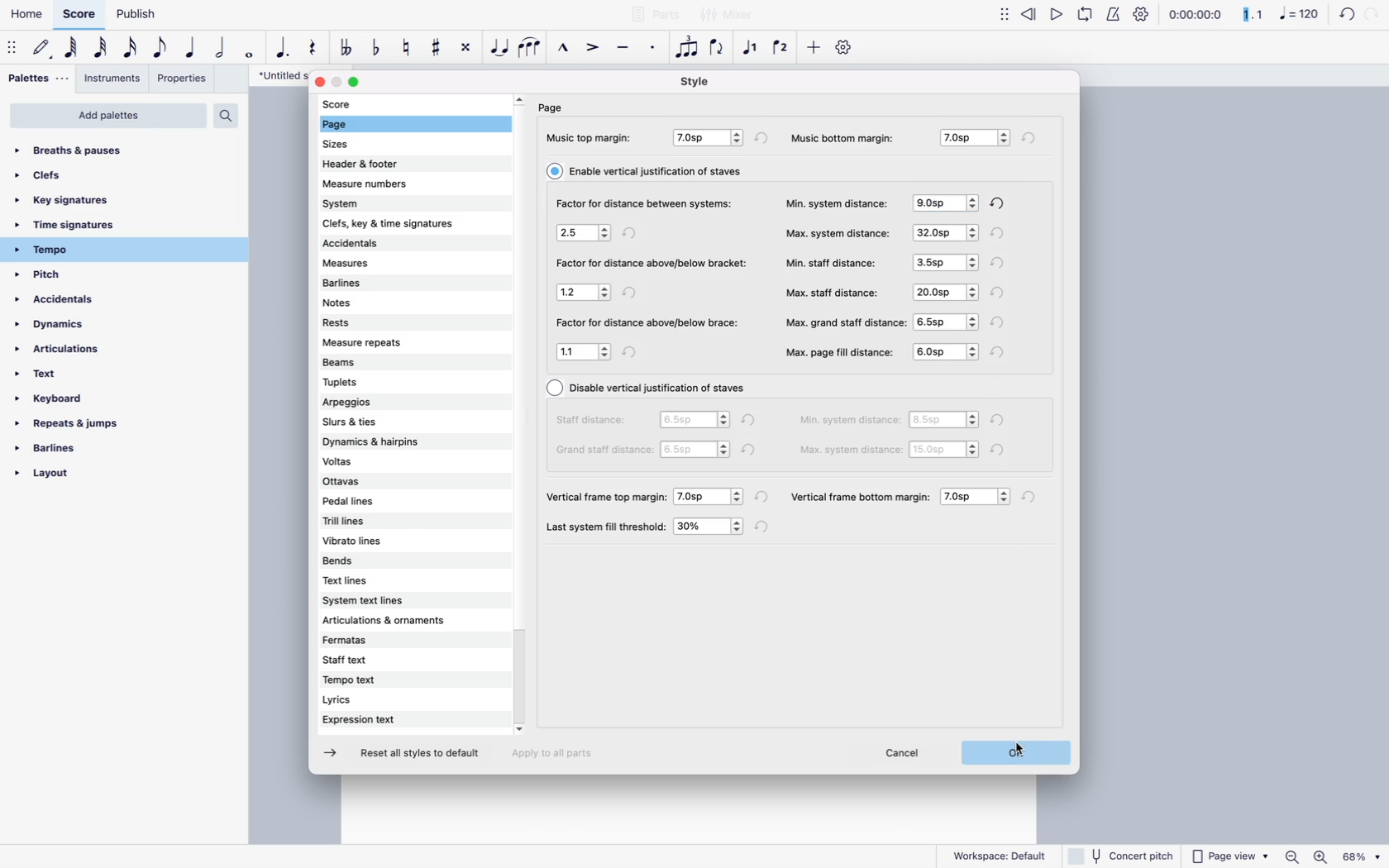 This screenshot has height=868, width=1389. Describe the element at coordinates (764, 137) in the screenshot. I see `efresh` at that location.